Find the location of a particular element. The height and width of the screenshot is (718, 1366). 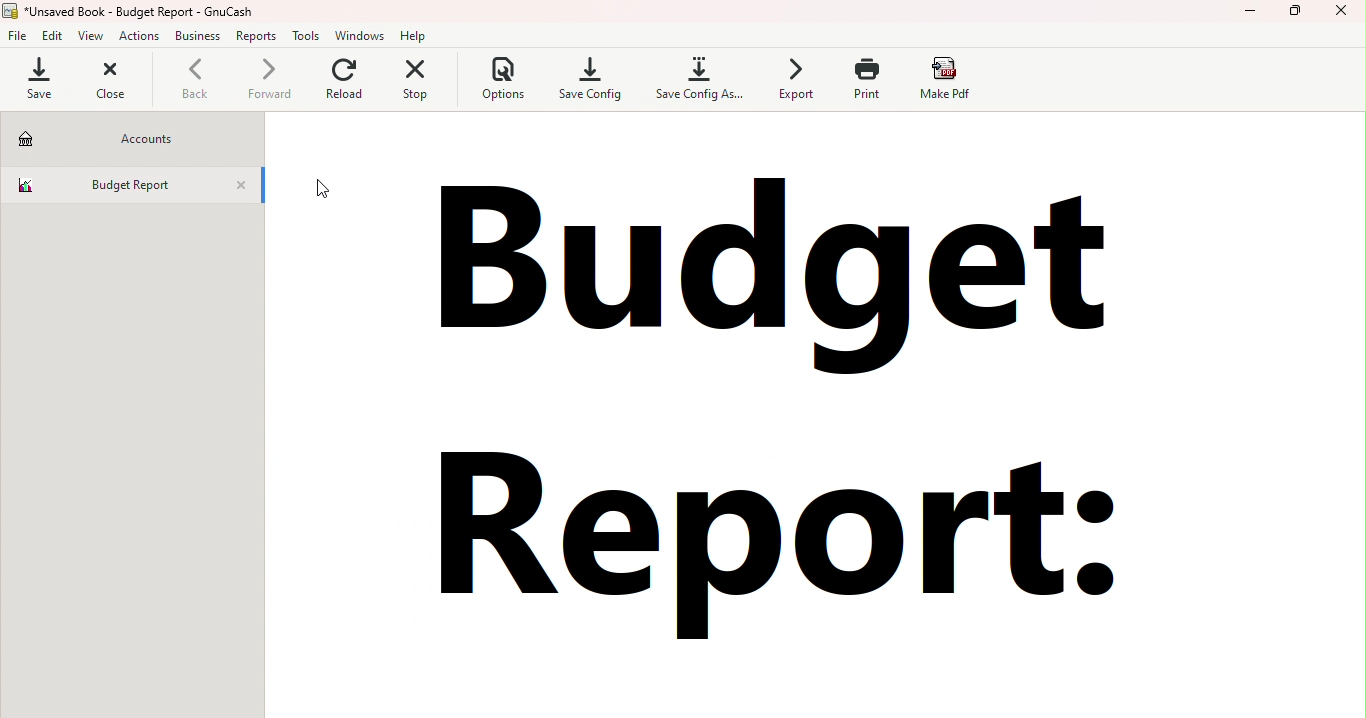

Budget report is located at coordinates (774, 389).